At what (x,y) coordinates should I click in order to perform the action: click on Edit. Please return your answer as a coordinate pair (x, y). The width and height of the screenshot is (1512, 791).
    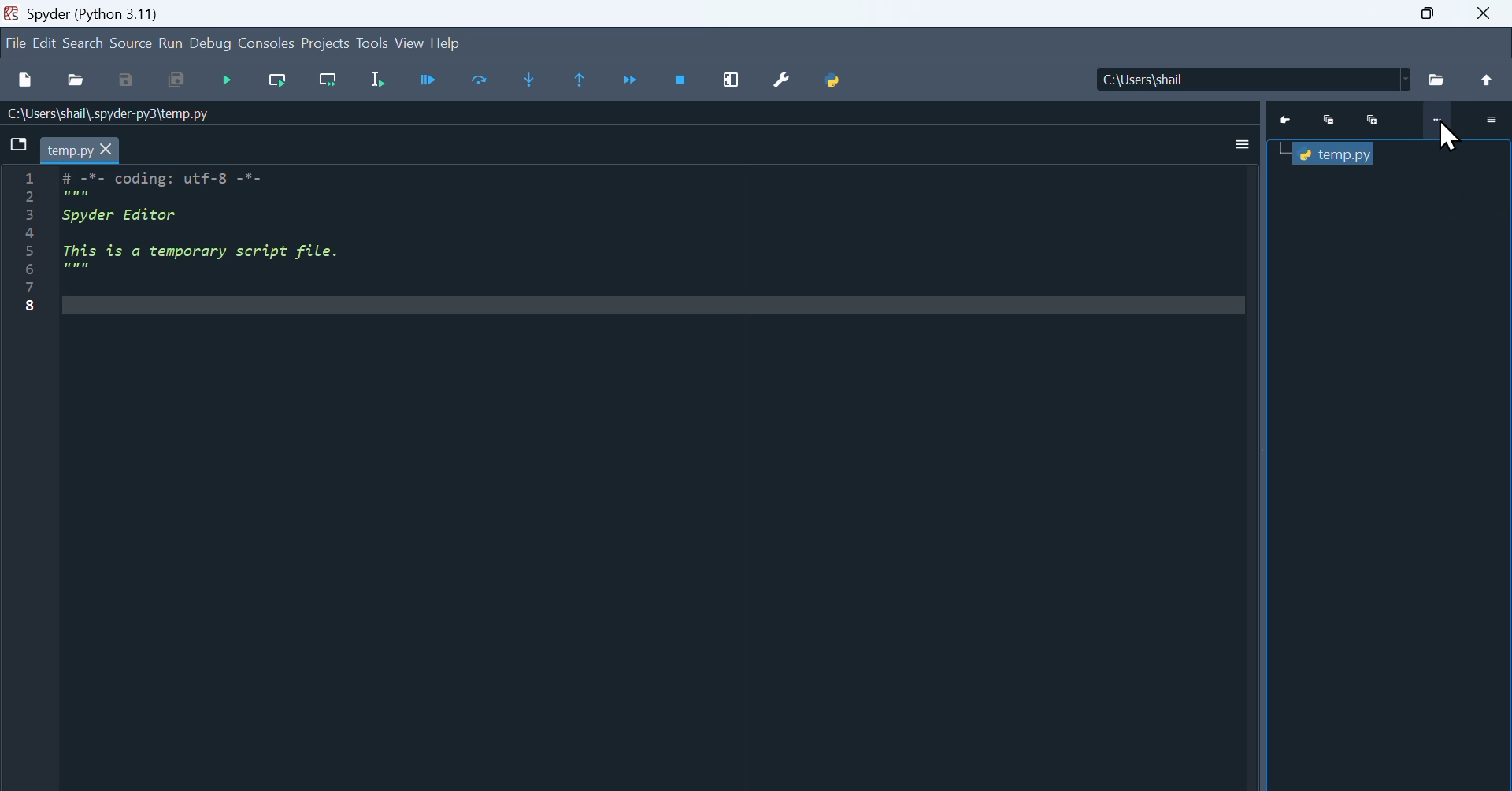
    Looking at the image, I should click on (45, 45).